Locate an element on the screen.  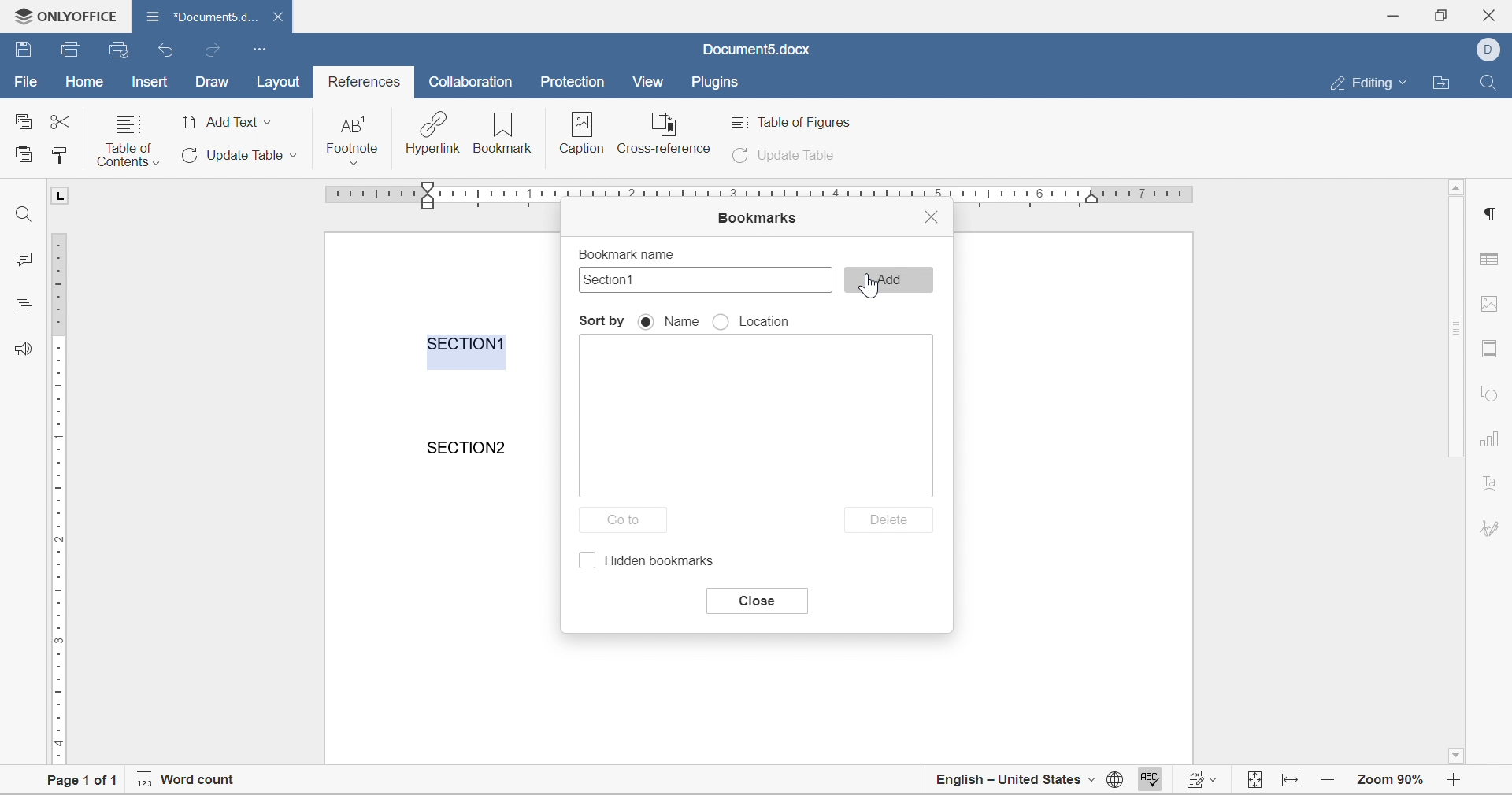
plugins is located at coordinates (716, 83).